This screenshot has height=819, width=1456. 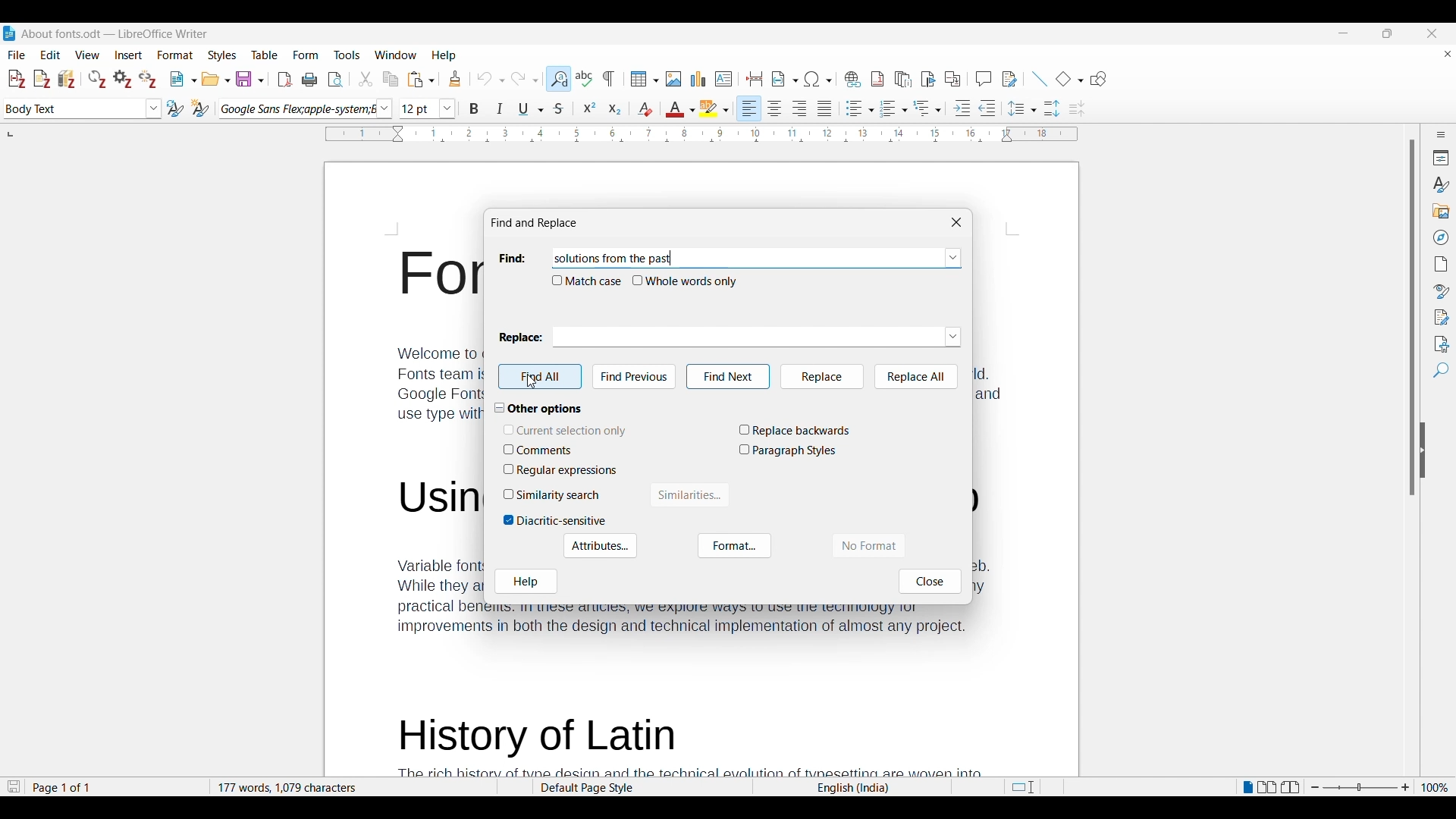 I want to click on Properties , so click(x=1439, y=158).